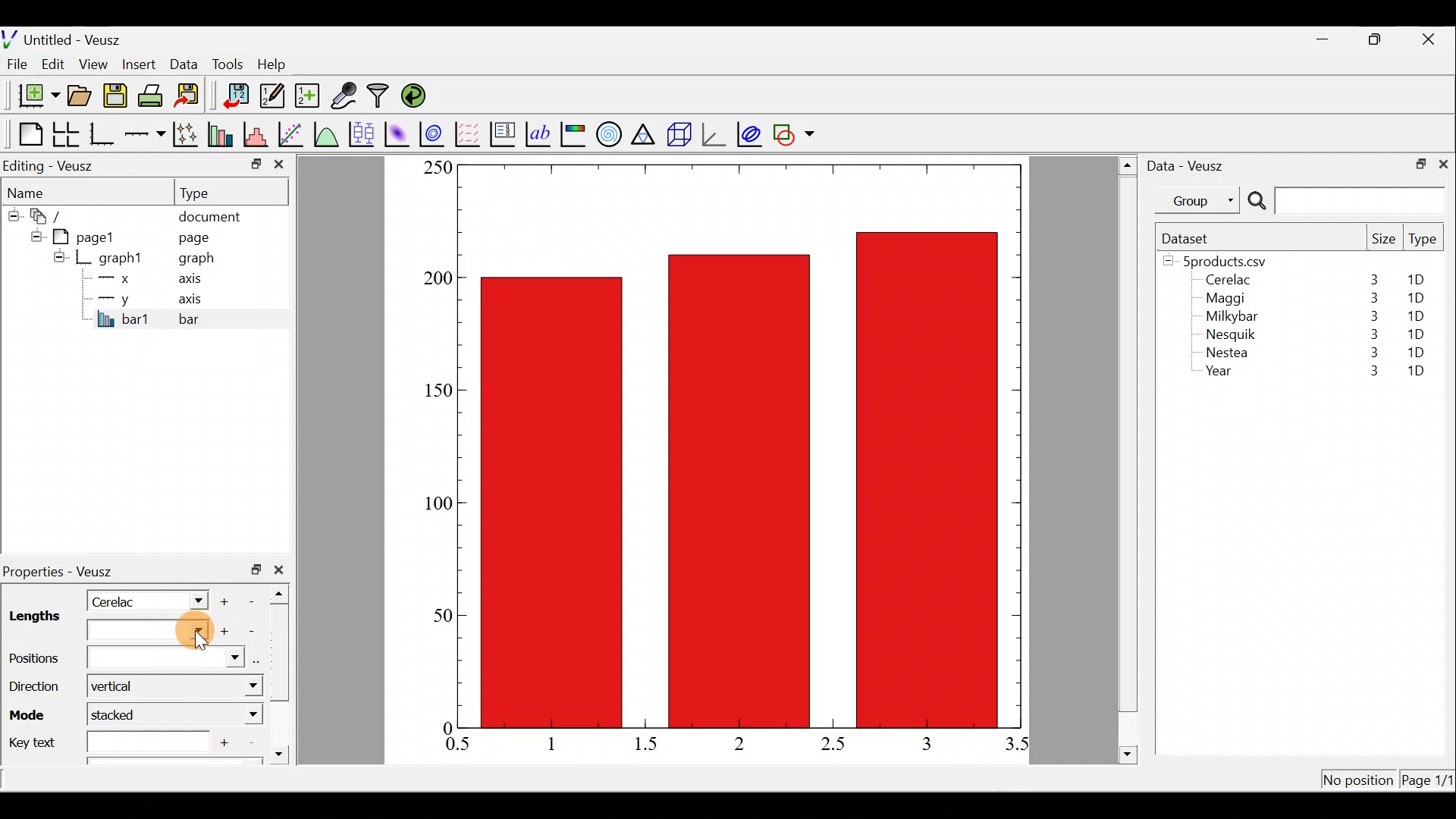  What do you see at coordinates (250, 631) in the screenshot?
I see `remove item` at bounding box center [250, 631].